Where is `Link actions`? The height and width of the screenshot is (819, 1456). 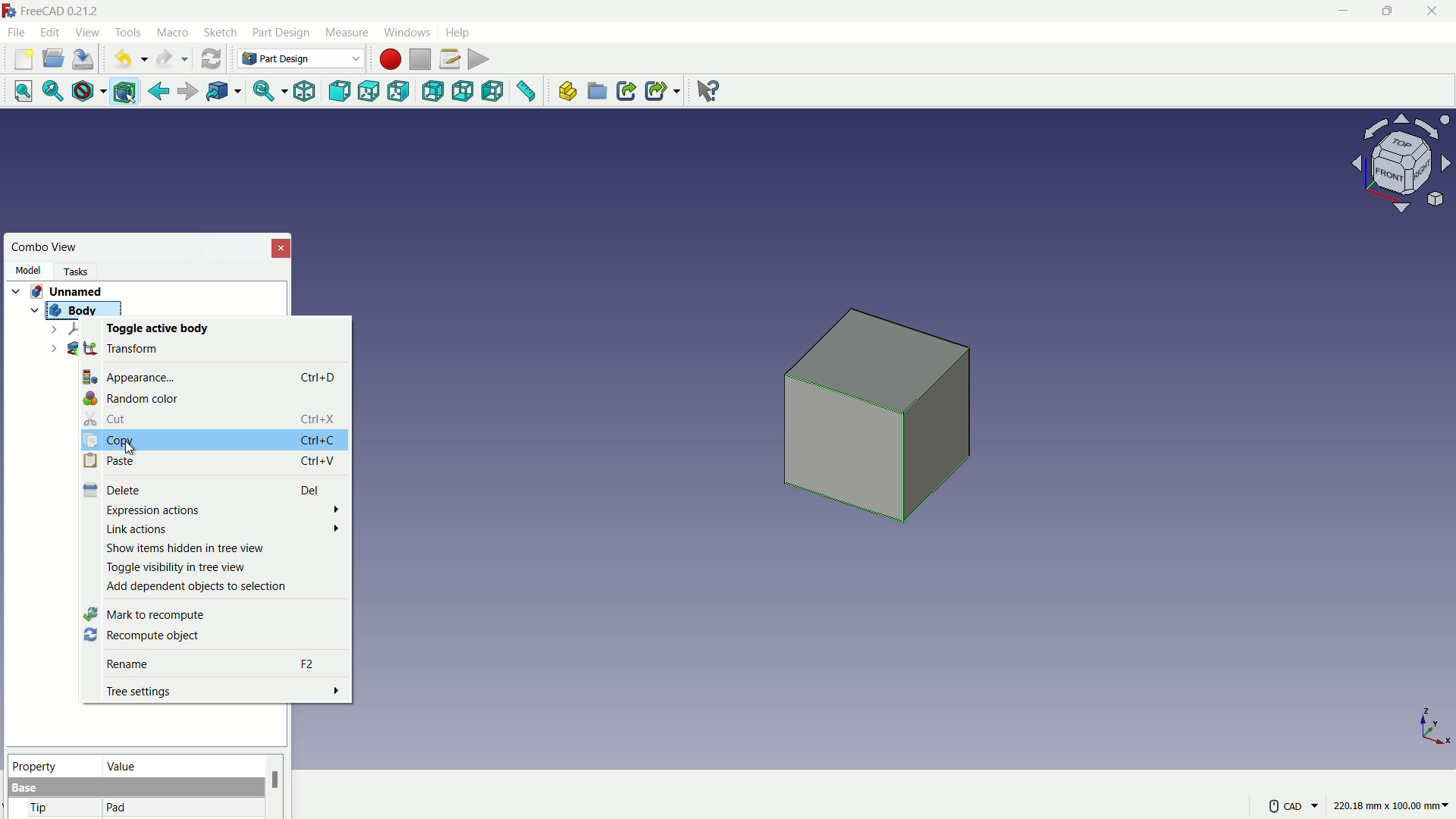
Link actions is located at coordinates (223, 528).